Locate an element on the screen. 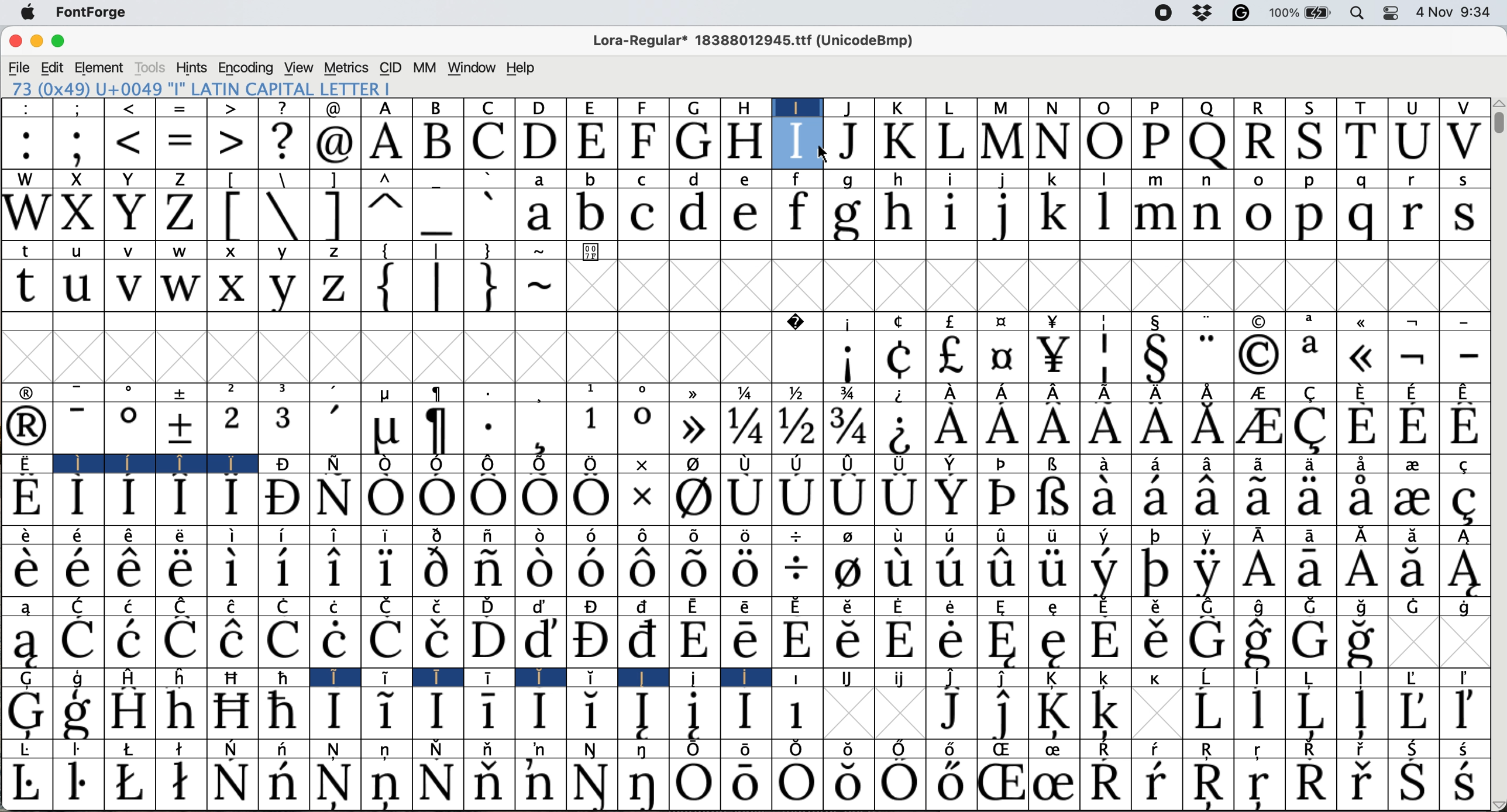 This screenshot has height=812, width=1507. T is located at coordinates (1363, 142).